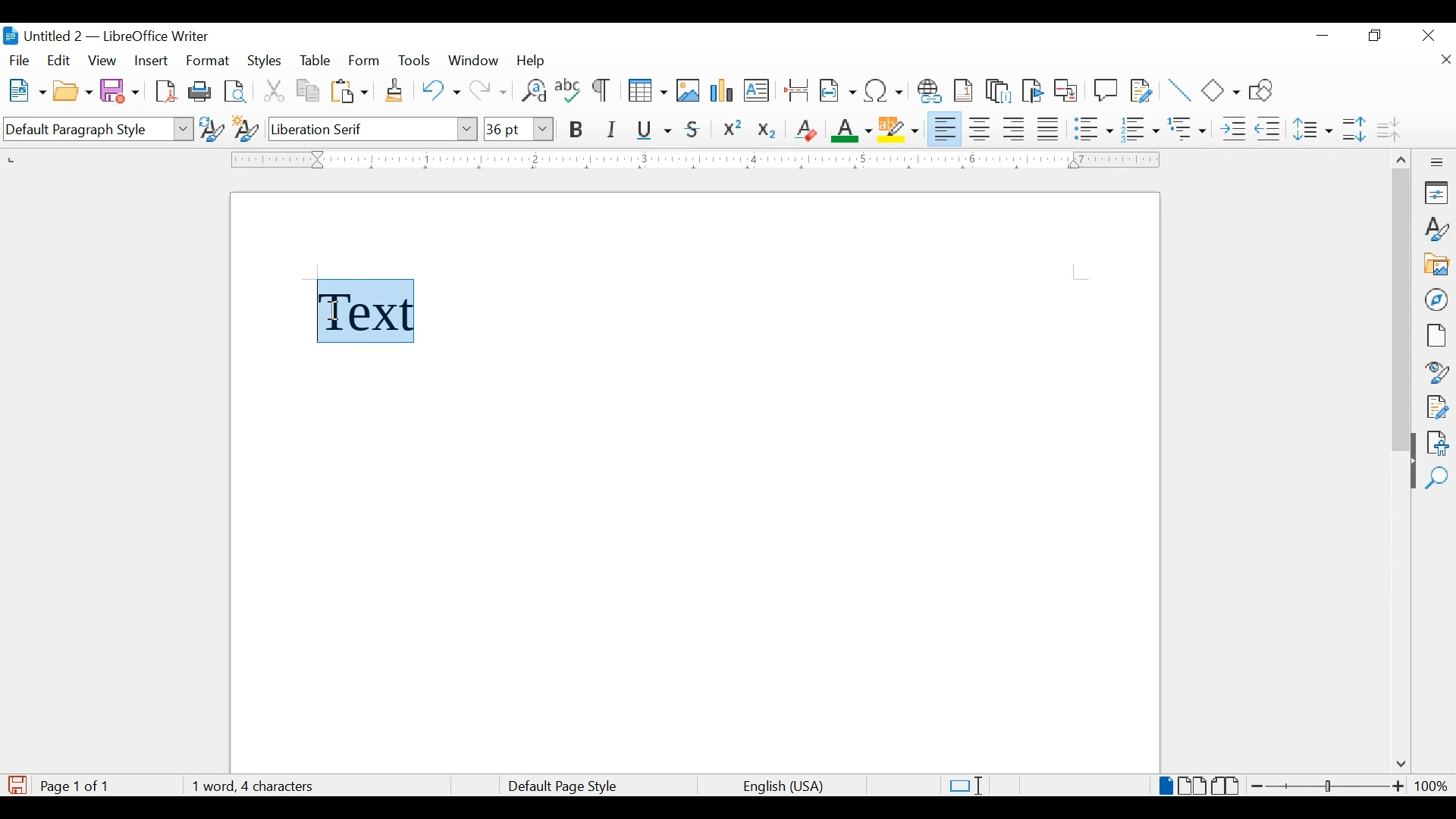 This screenshot has width=1456, height=819. I want to click on close, so click(1429, 34).